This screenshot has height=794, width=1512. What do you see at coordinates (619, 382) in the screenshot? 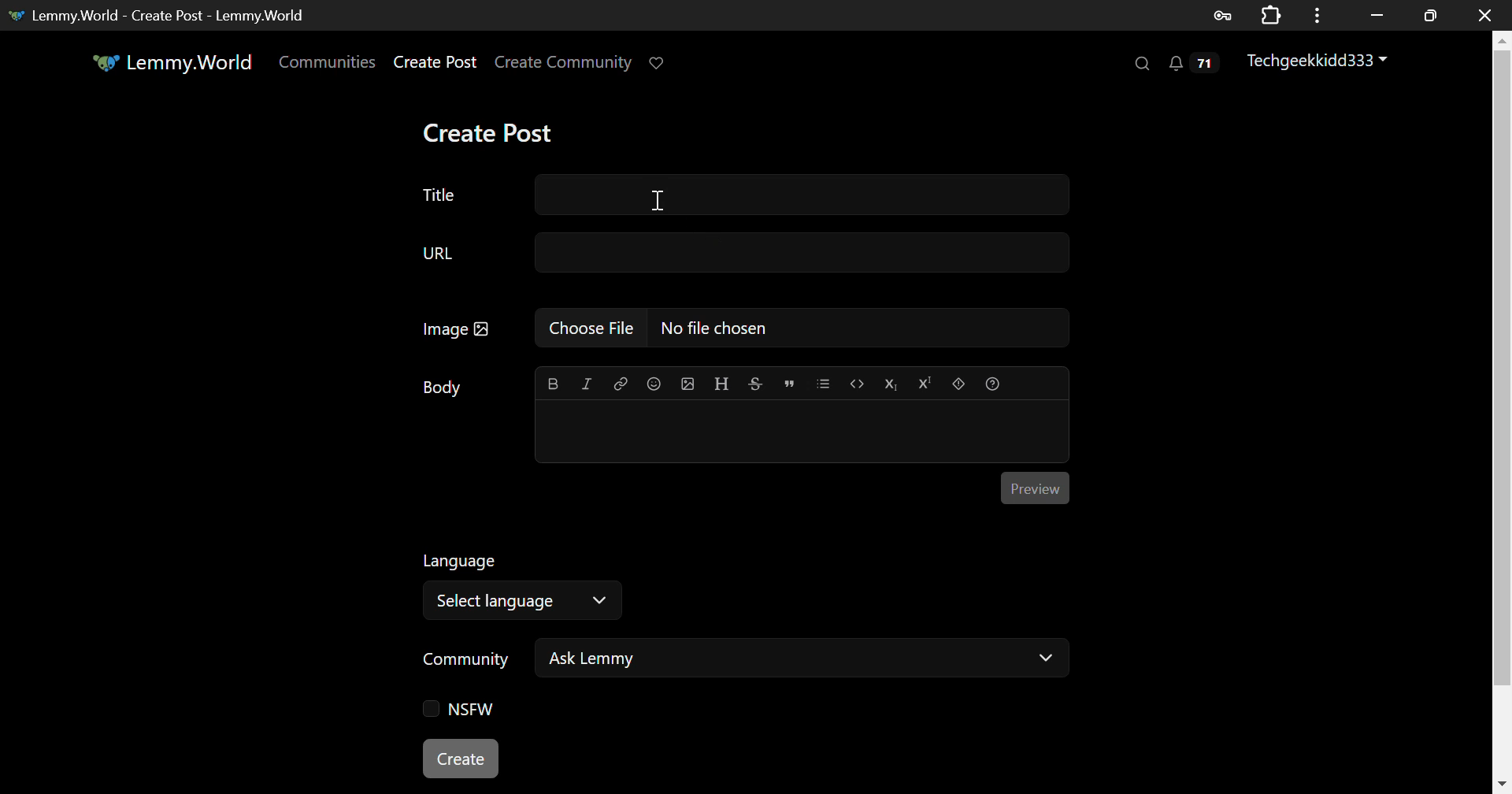
I see `Link` at bounding box center [619, 382].